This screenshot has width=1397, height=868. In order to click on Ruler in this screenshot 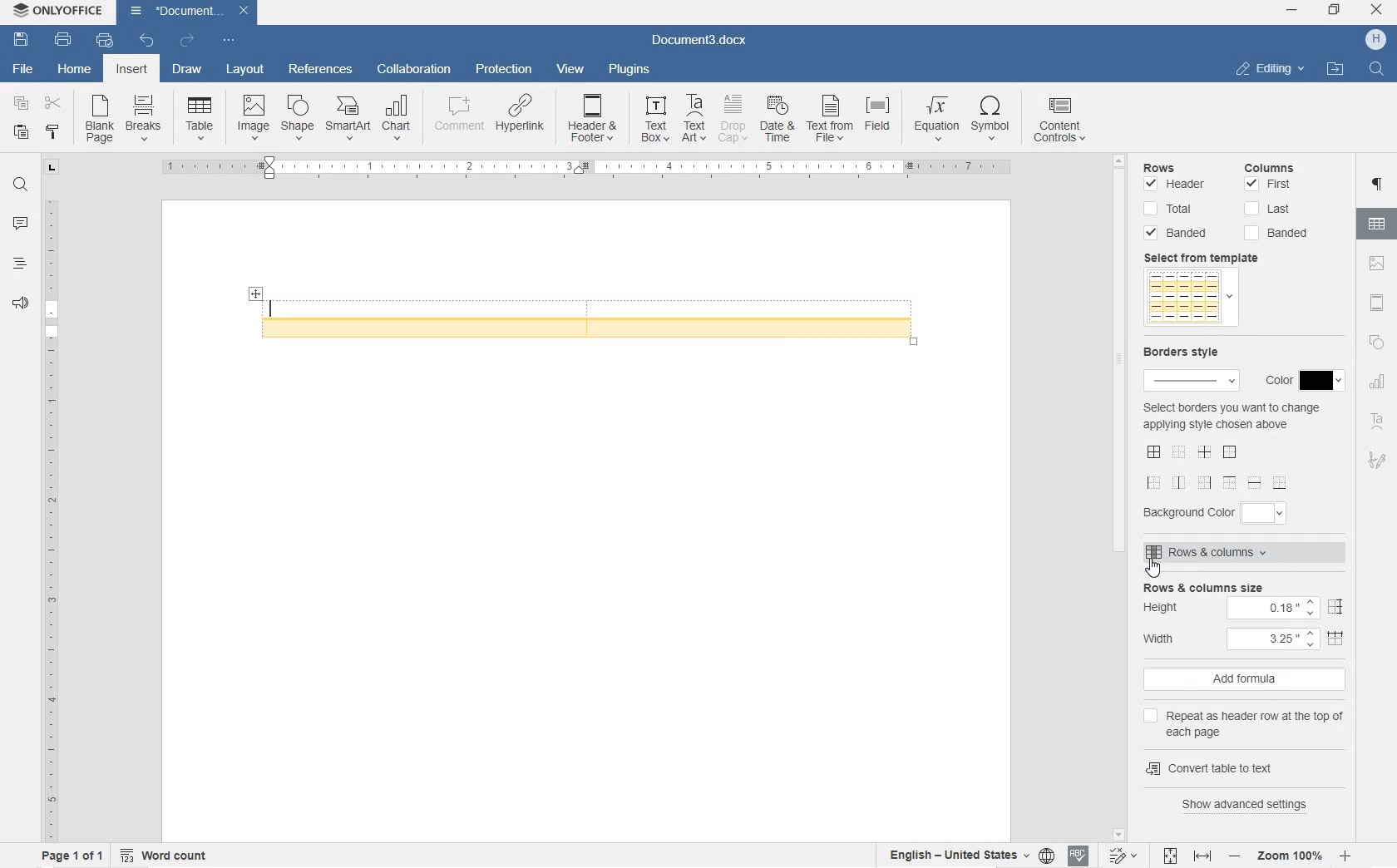, I will do `click(585, 169)`.